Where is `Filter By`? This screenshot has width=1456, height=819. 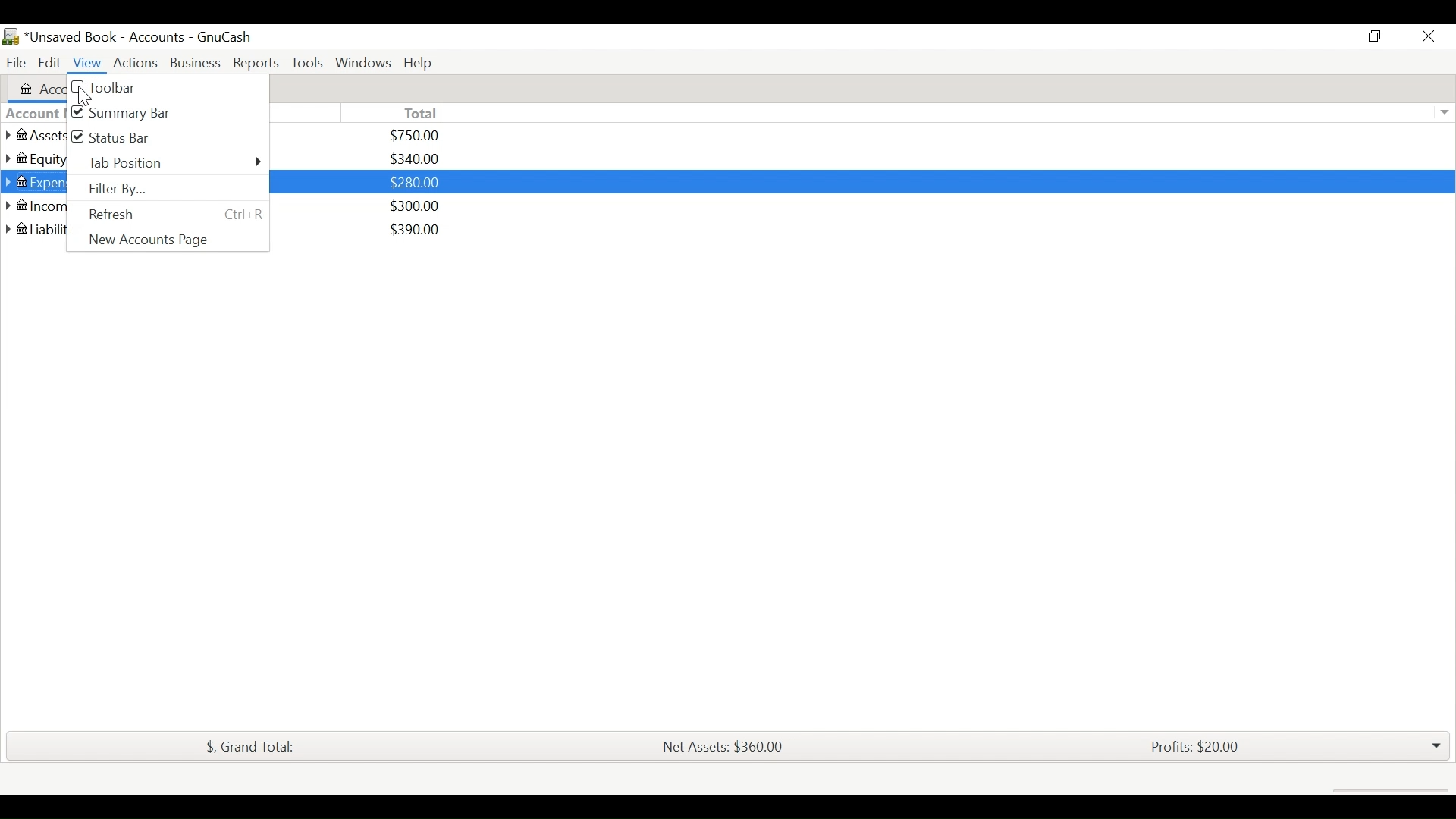 Filter By is located at coordinates (168, 187).